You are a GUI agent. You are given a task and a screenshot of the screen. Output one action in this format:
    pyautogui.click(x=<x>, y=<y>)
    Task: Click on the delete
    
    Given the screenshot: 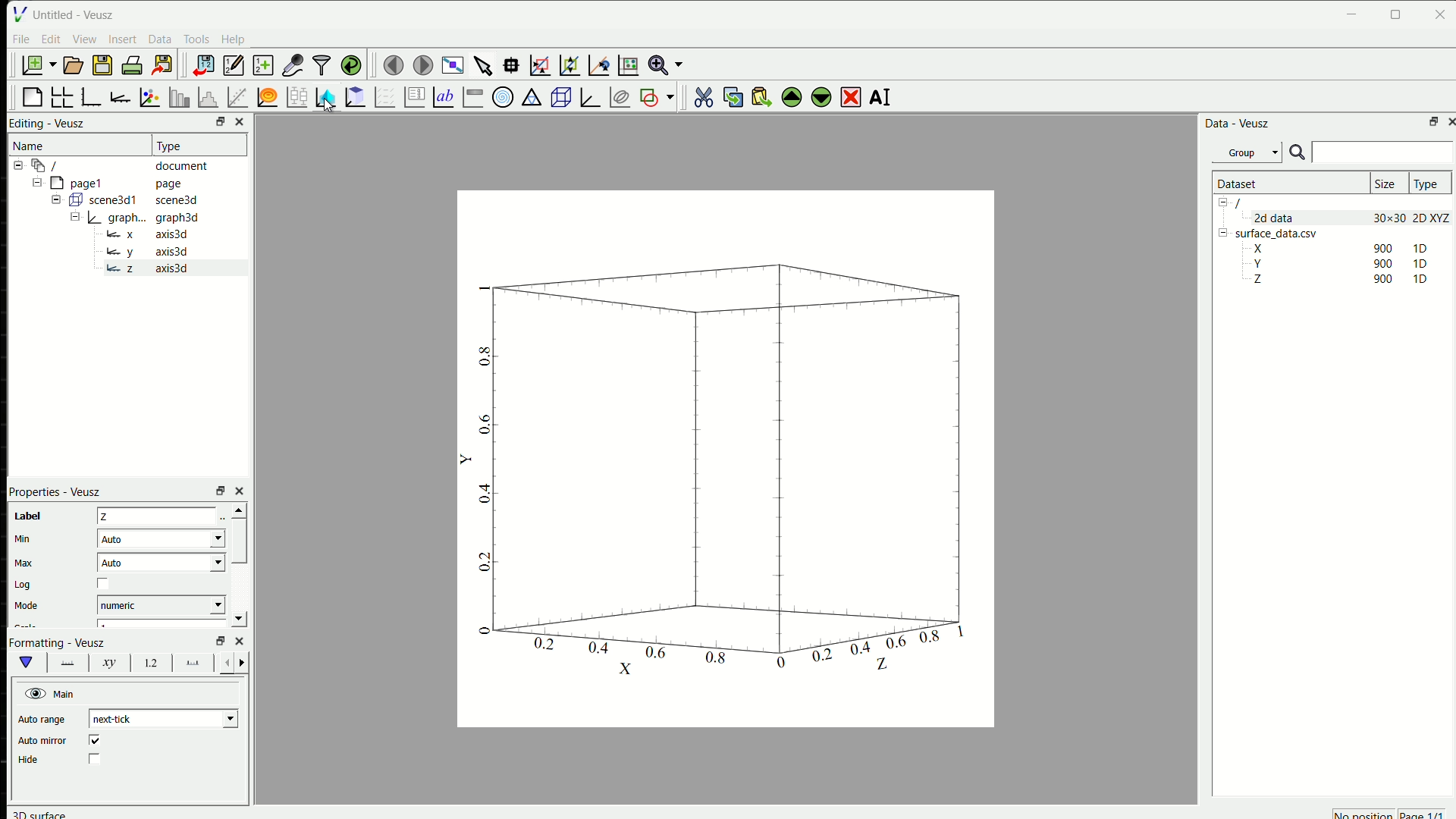 What is the action you would take?
    pyautogui.click(x=851, y=98)
    